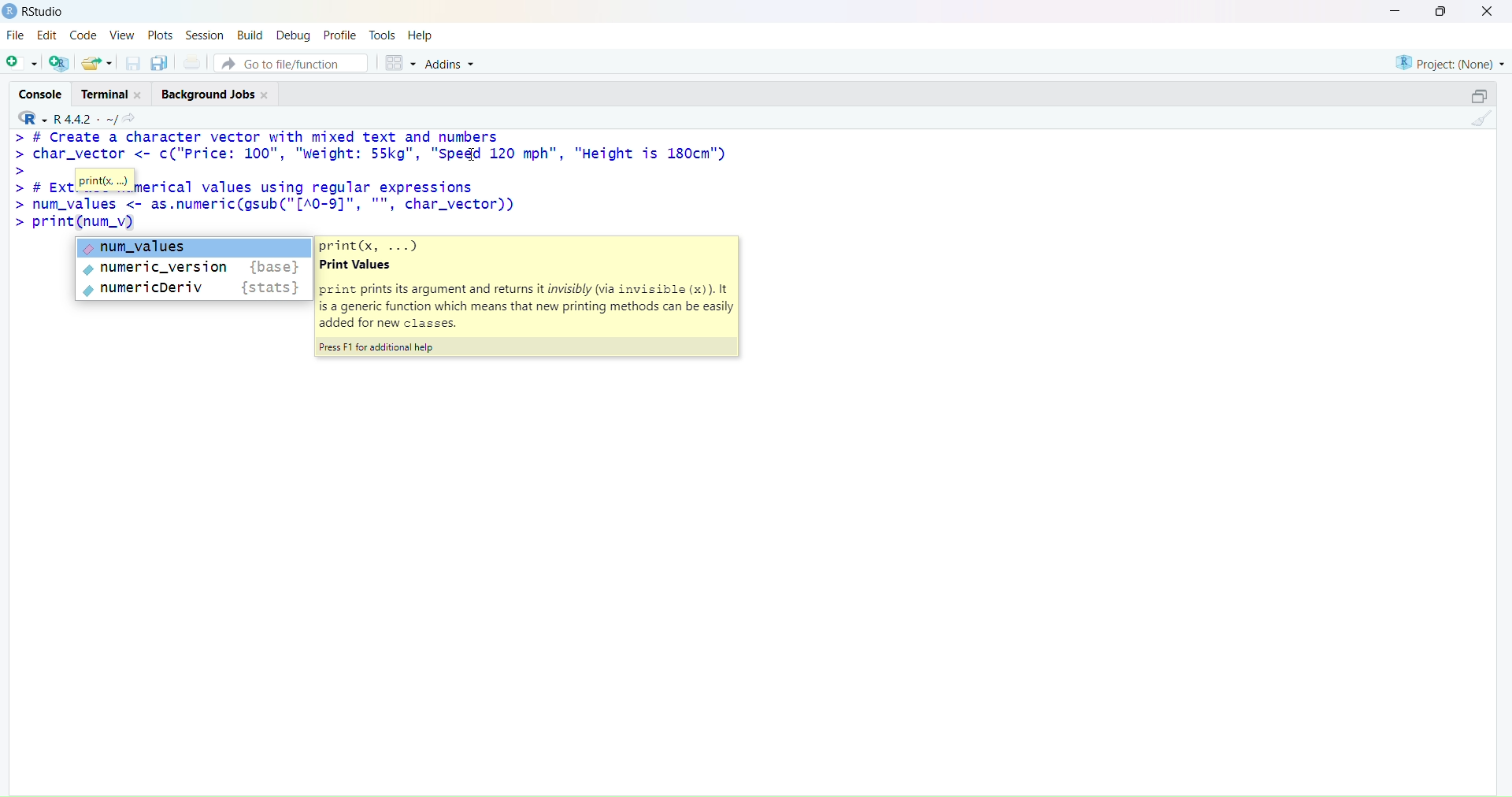 The height and width of the screenshot is (797, 1512). Describe the element at coordinates (161, 36) in the screenshot. I see `plots` at that location.